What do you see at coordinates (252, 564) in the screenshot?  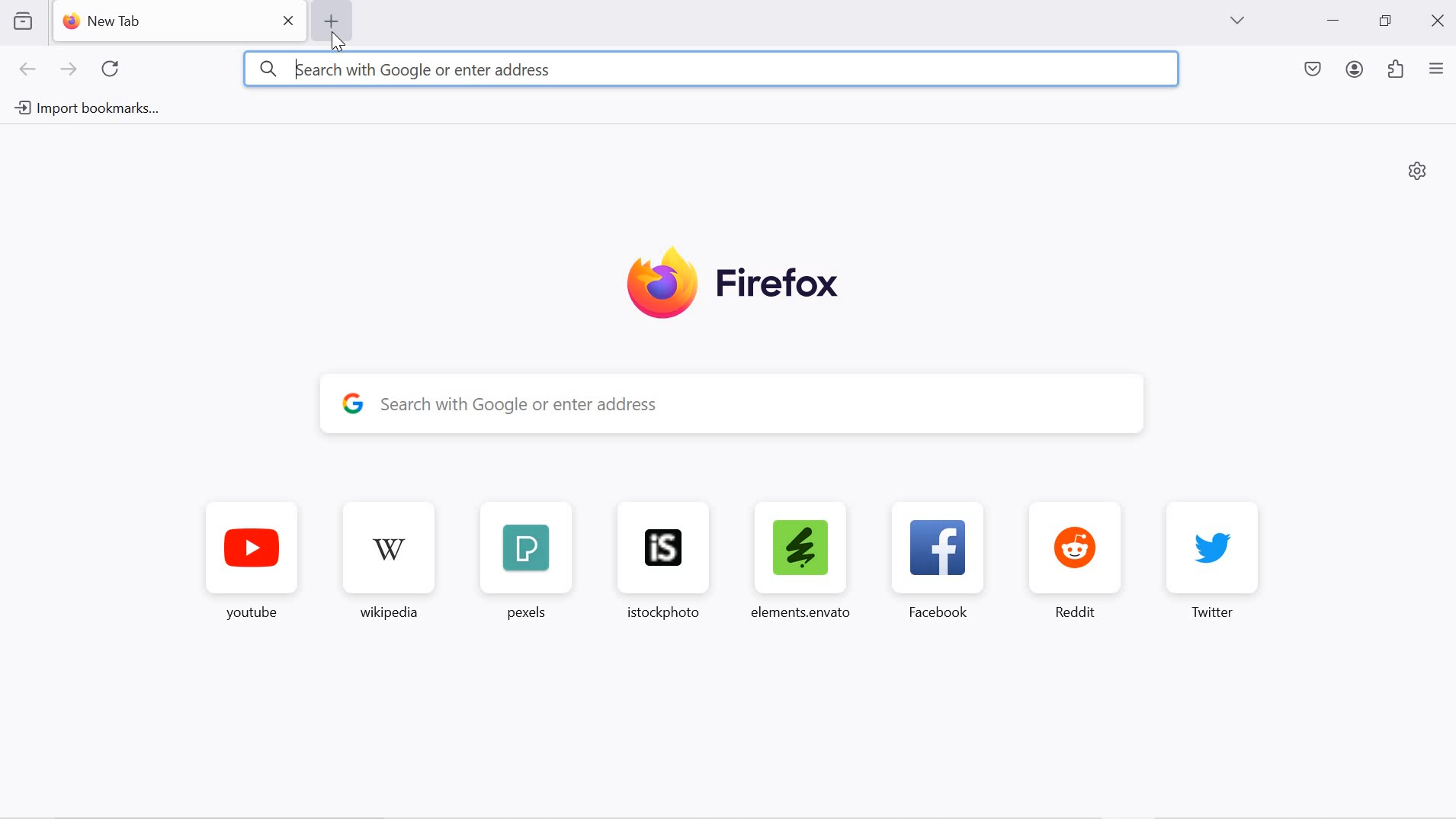 I see `youtube favorite` at bounding box center [252, 564].